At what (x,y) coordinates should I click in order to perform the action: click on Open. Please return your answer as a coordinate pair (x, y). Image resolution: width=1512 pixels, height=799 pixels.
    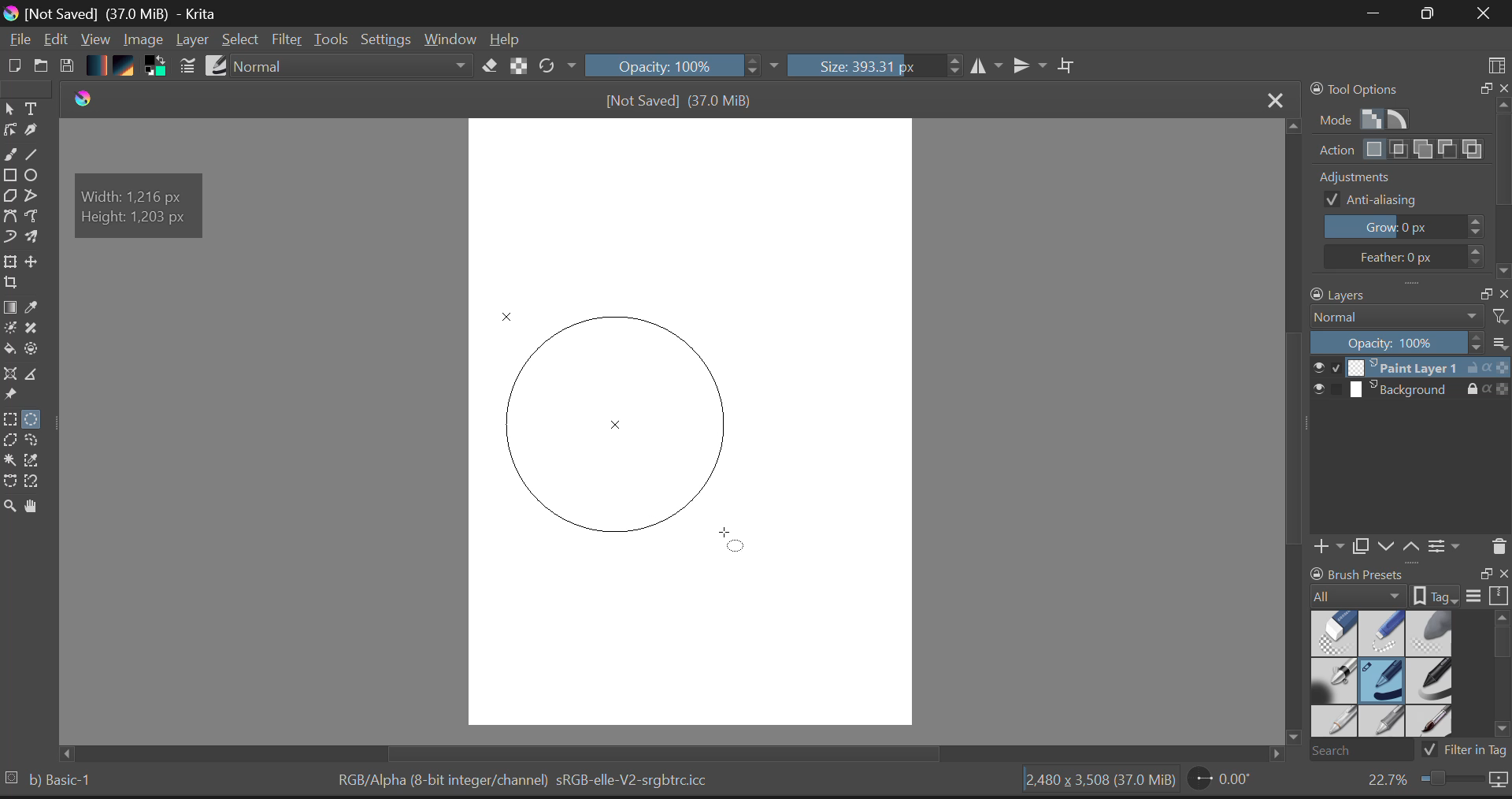
    Looking at the image, I should click on (42, 63).